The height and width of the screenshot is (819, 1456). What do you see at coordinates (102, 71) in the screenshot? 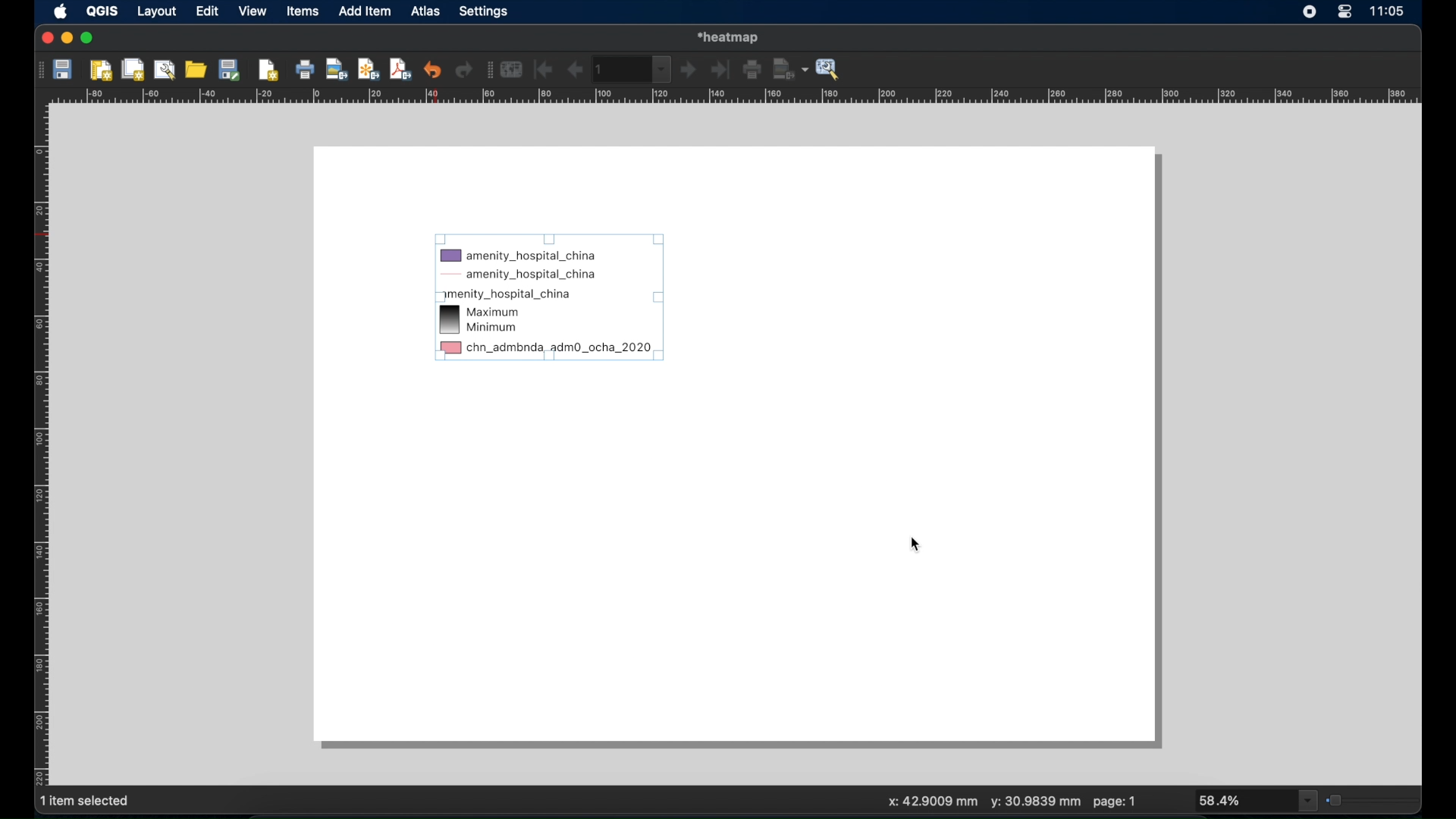
I see `new layout` at bounding box center [102, 71].